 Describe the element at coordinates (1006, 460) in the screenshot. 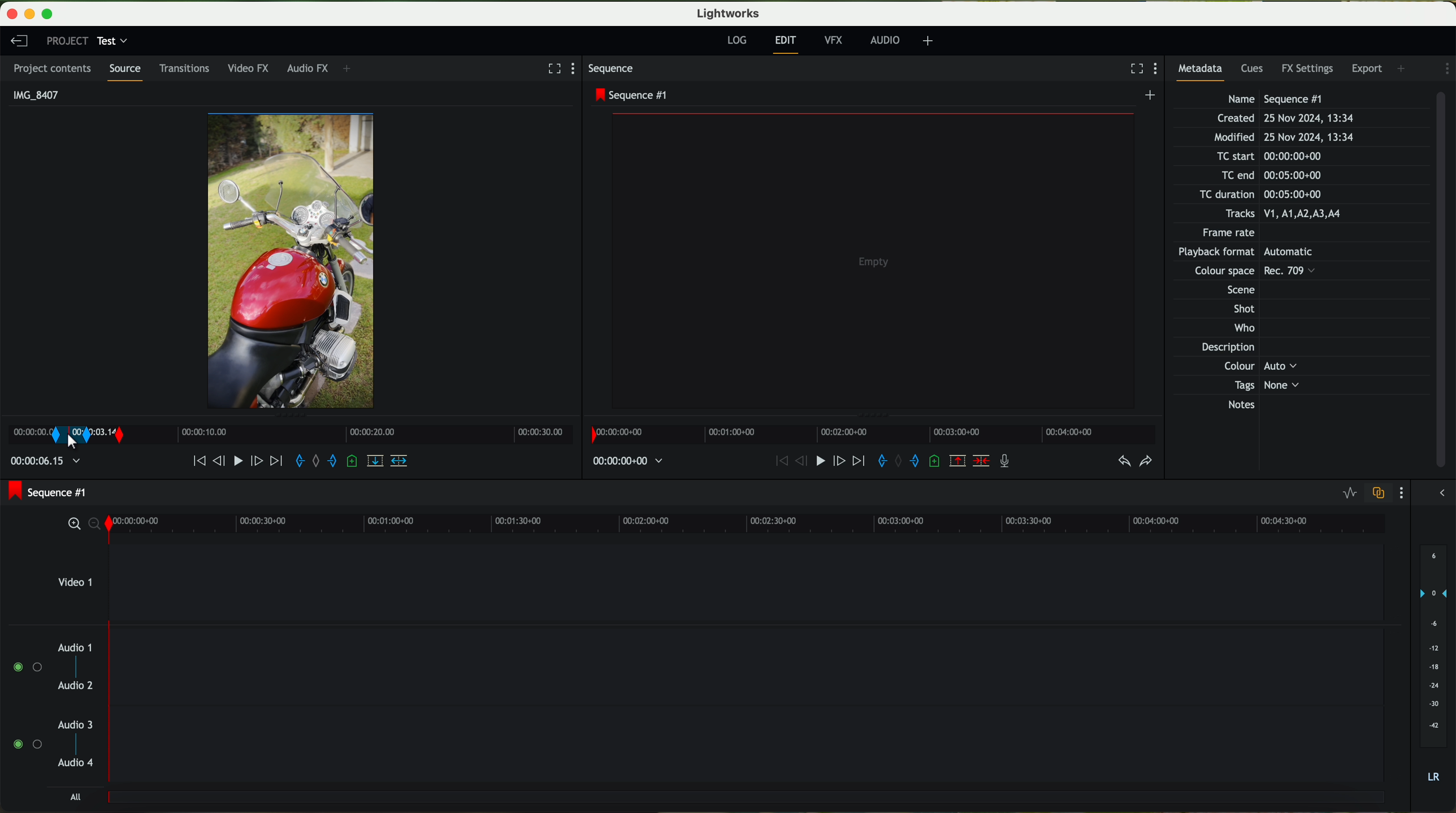

I see `record a voice over` at that location.